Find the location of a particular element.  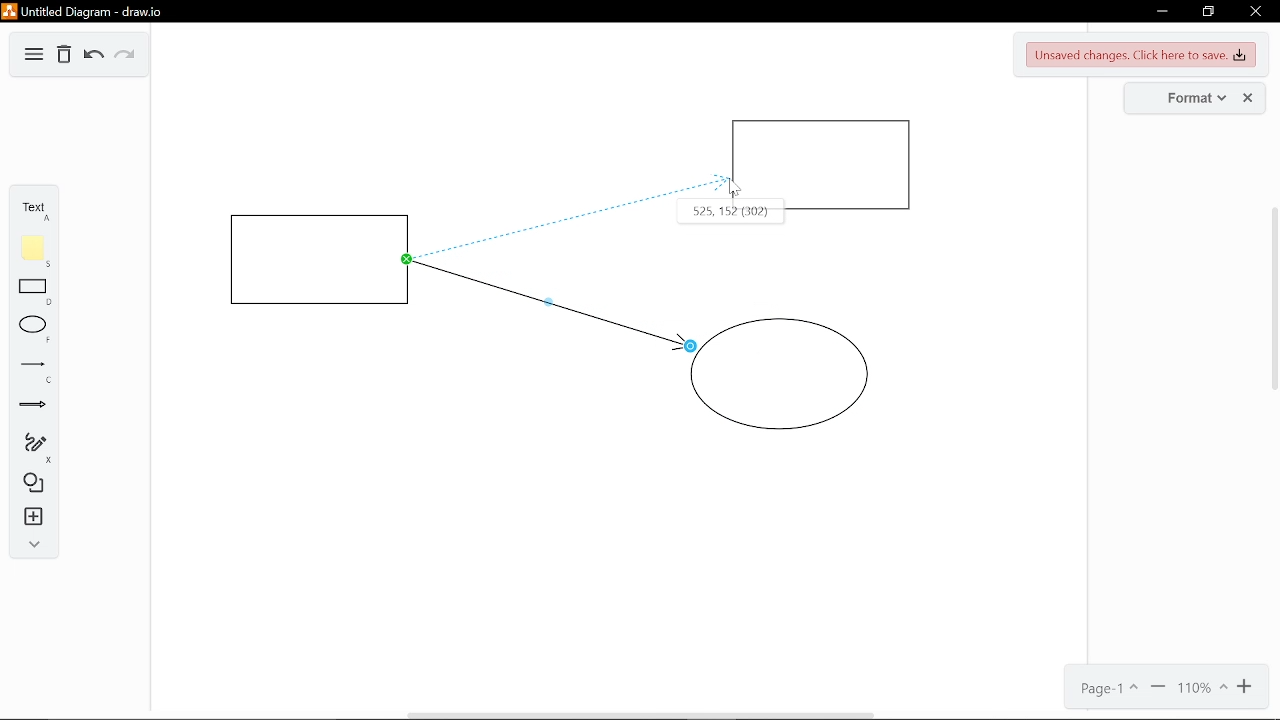

Close format is located at coordinates (1250, 98).